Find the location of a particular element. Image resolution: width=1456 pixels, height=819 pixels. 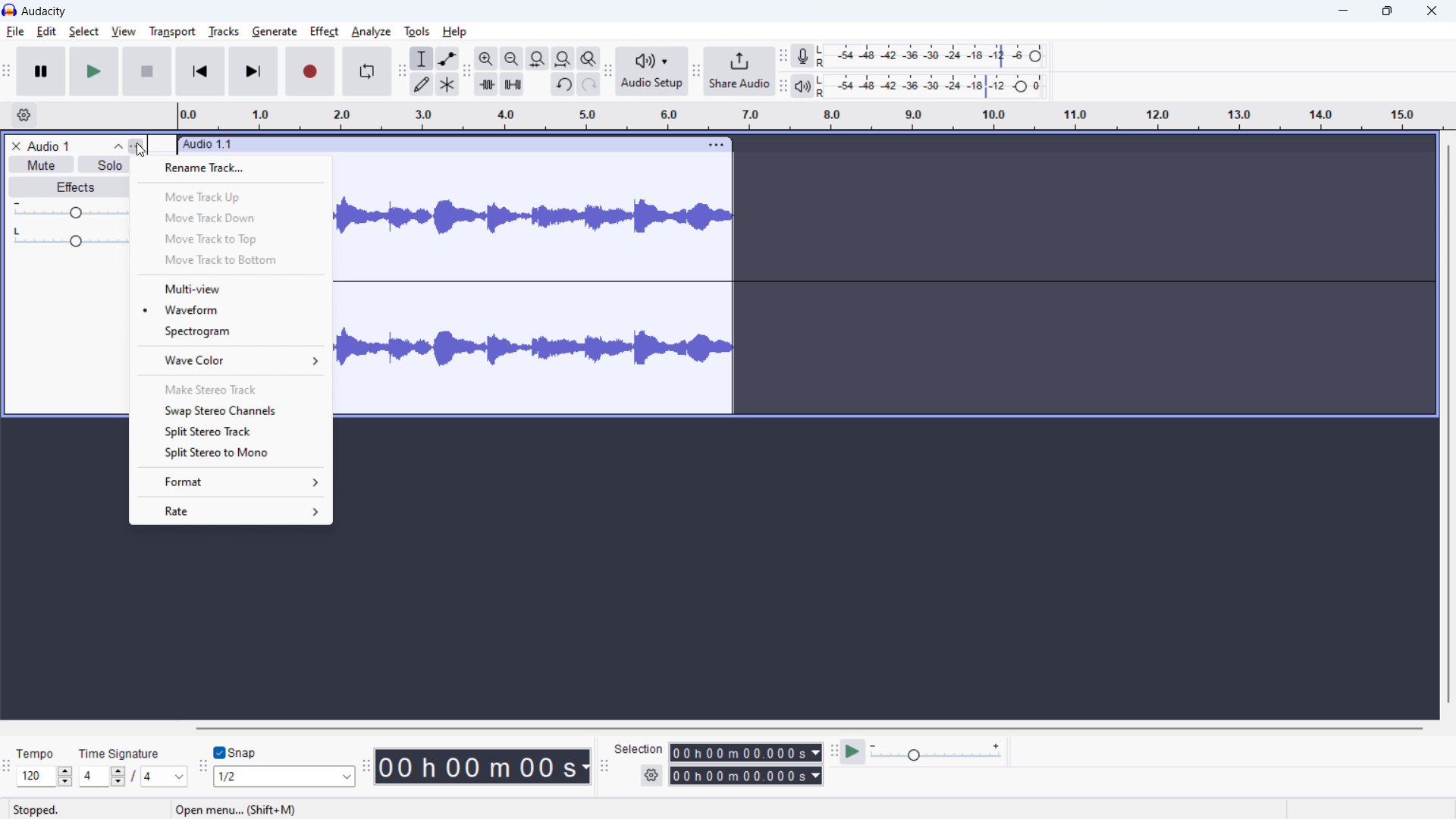

collapse is located at coordinates (118, 146).